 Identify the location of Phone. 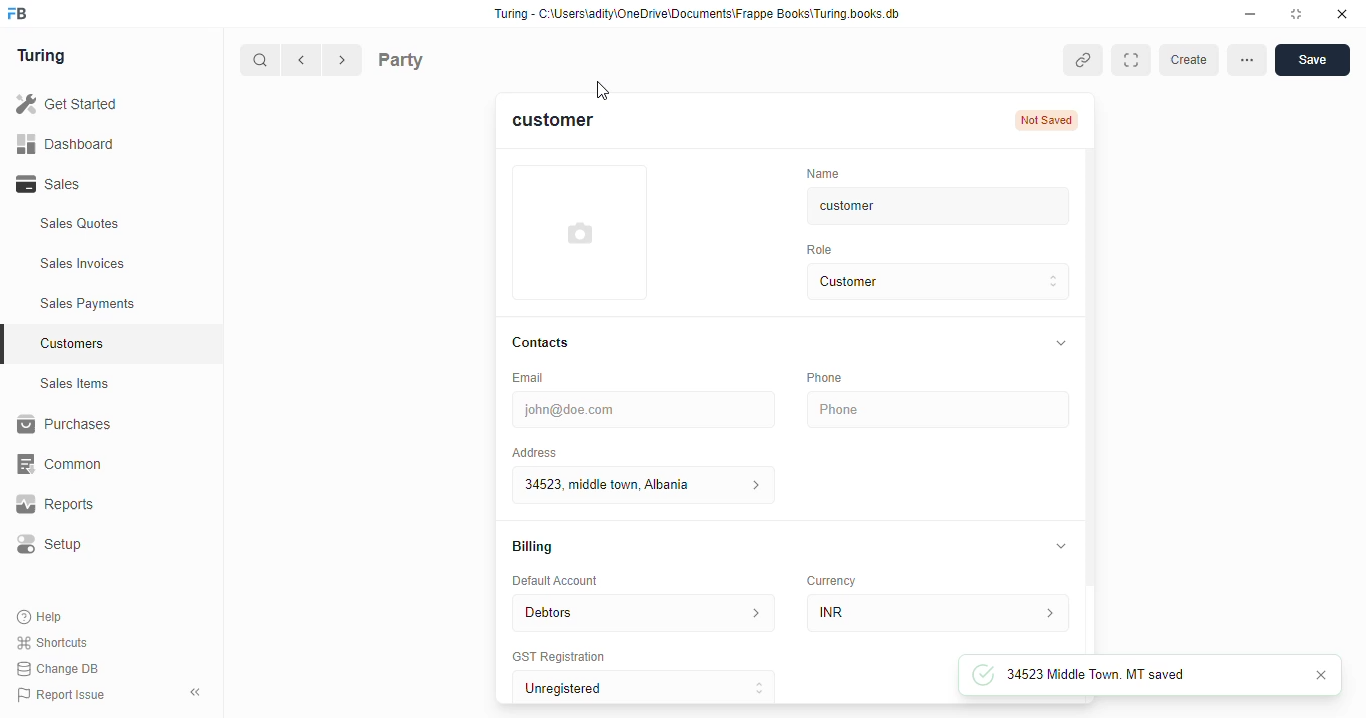
(936, 410).